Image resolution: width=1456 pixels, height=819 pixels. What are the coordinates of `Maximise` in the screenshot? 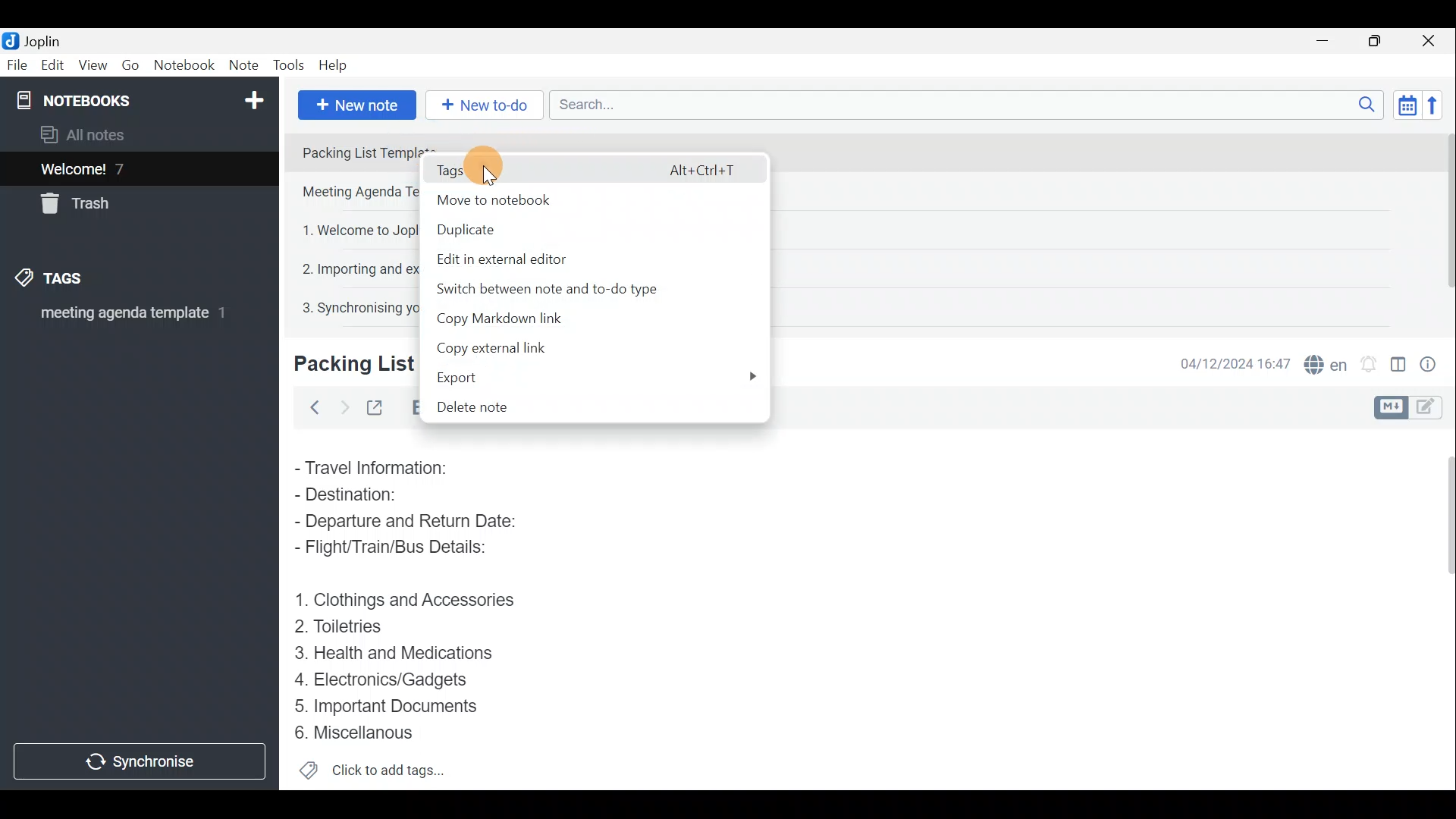 It's located at (1380, 41).